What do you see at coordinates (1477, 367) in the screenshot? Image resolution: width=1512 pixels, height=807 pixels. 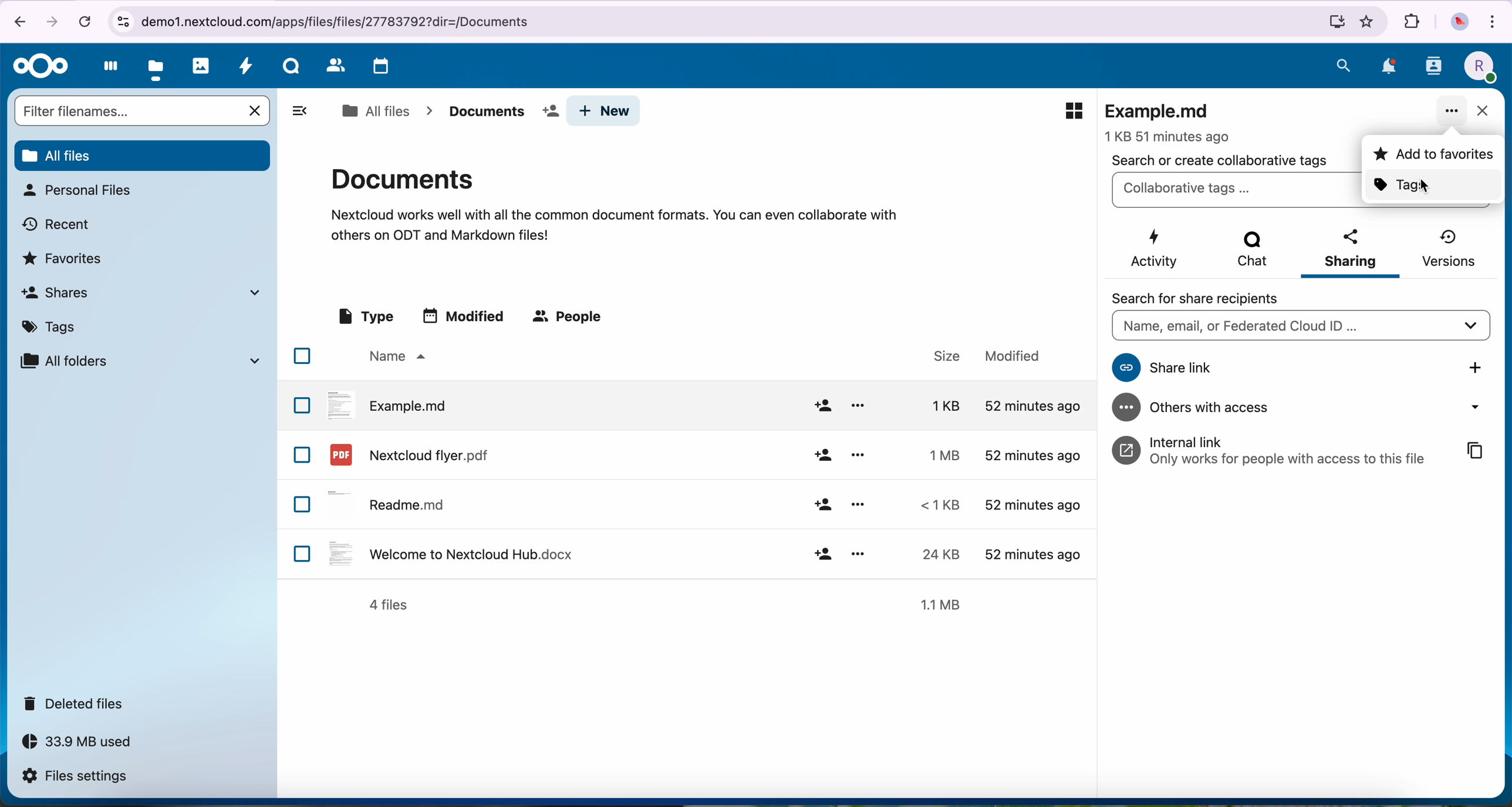 I see `add link` at bounding box center [1477, 367].